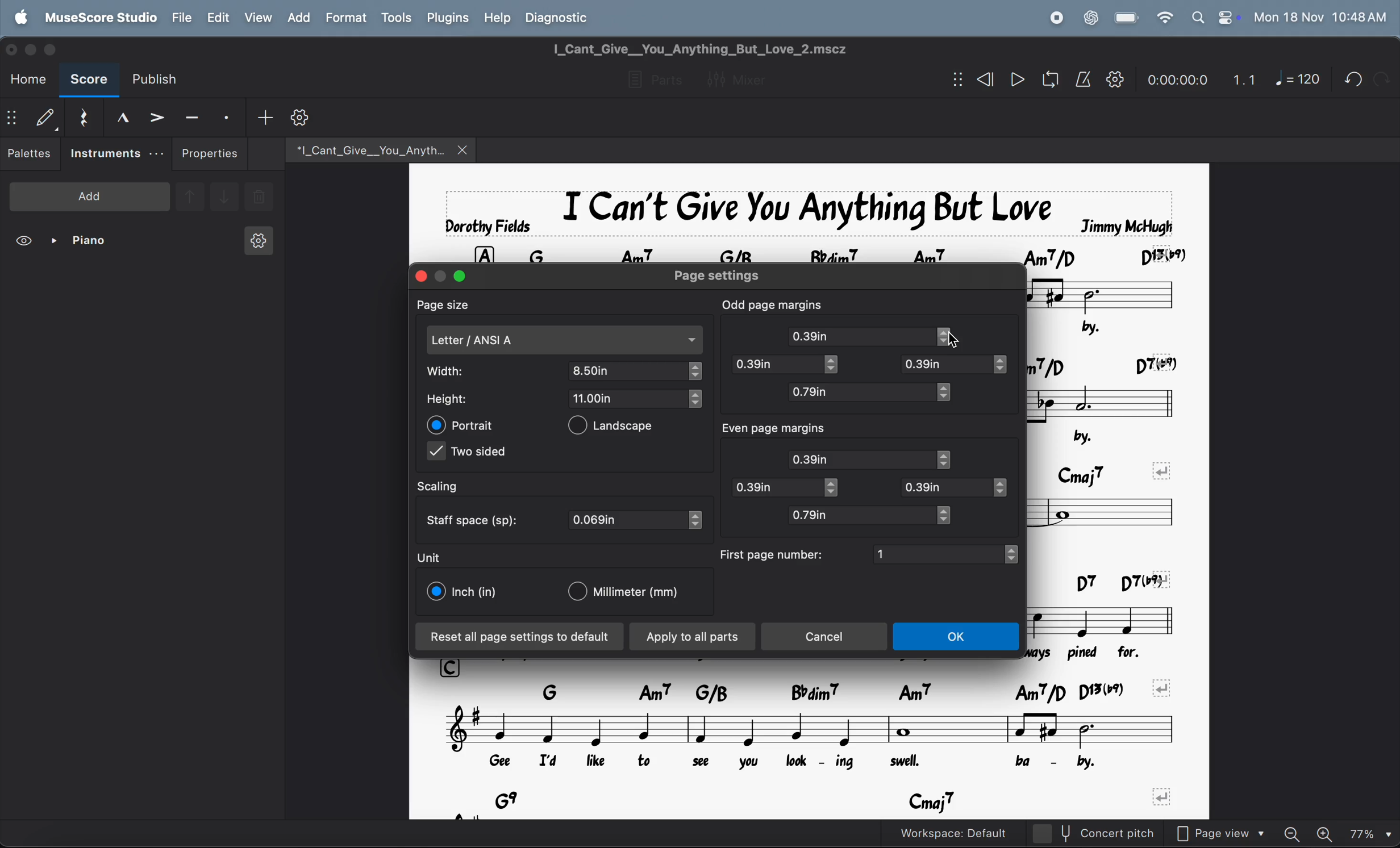 This screenshot has width=1400, height=848. I want to click on metronome, so click(1084, 80).